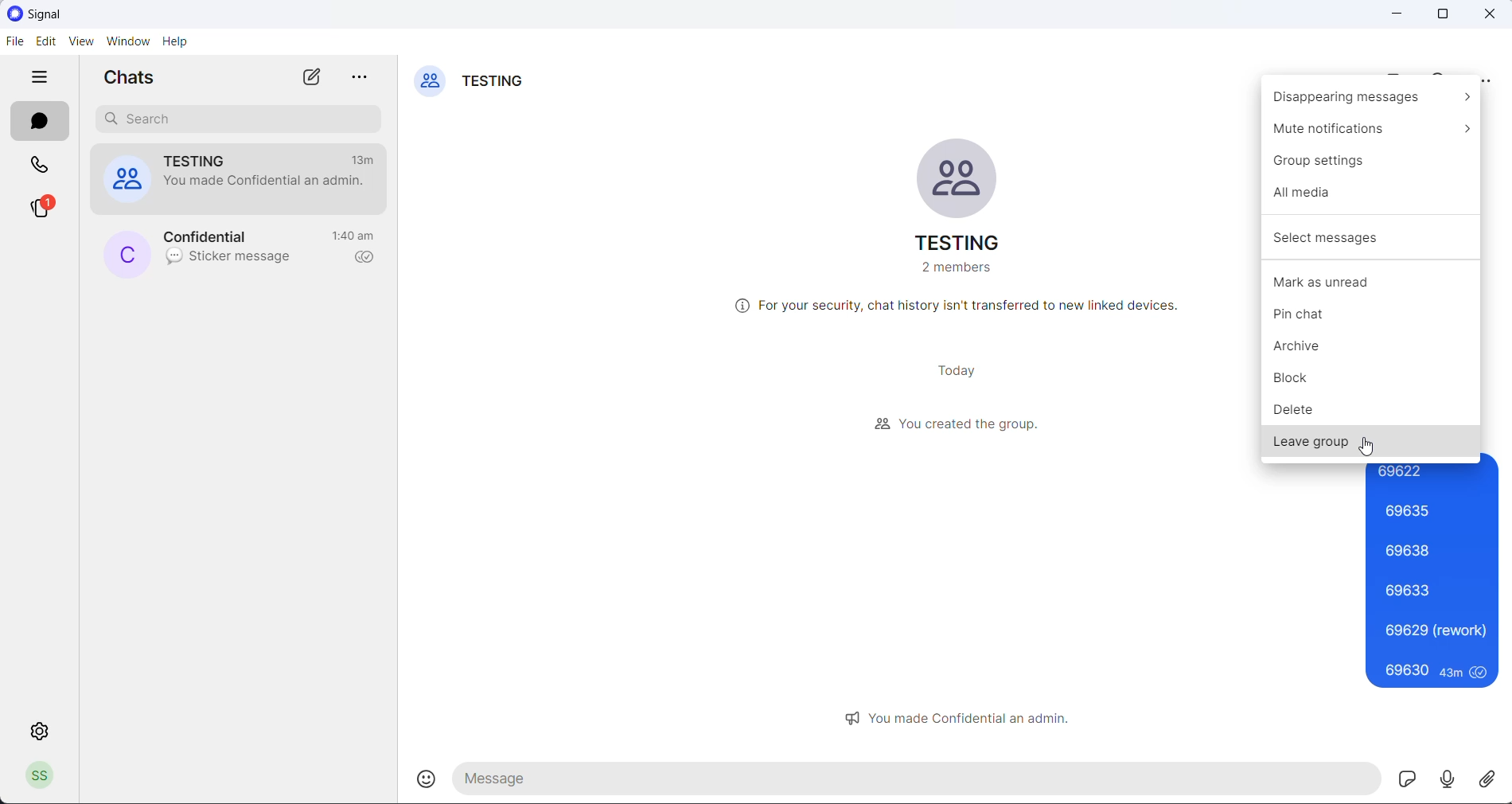  I want to click on disappearing messages, so click(1370, 97).